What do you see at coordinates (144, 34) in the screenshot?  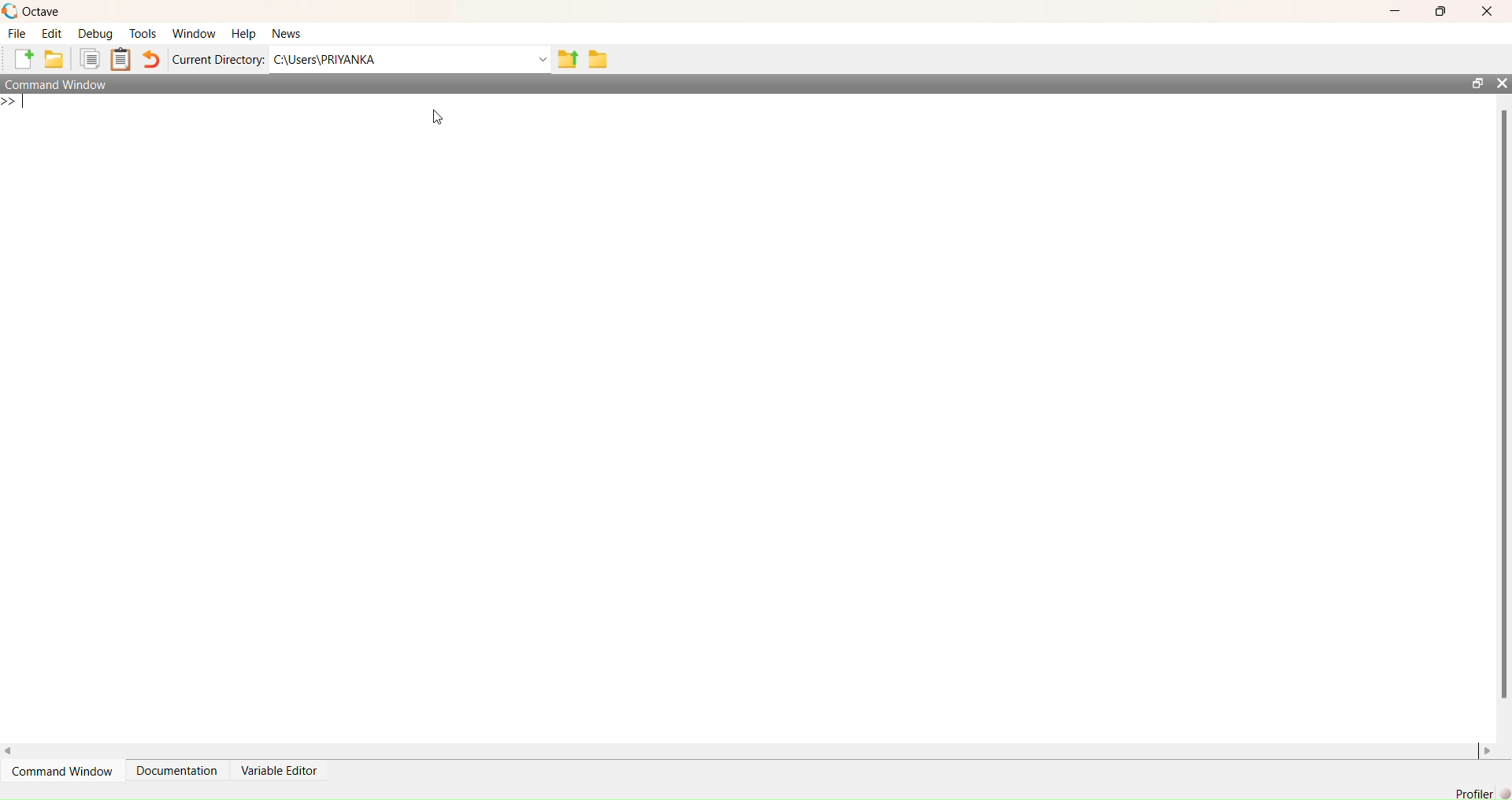 I see `tools` at bounding box center [144, 34].